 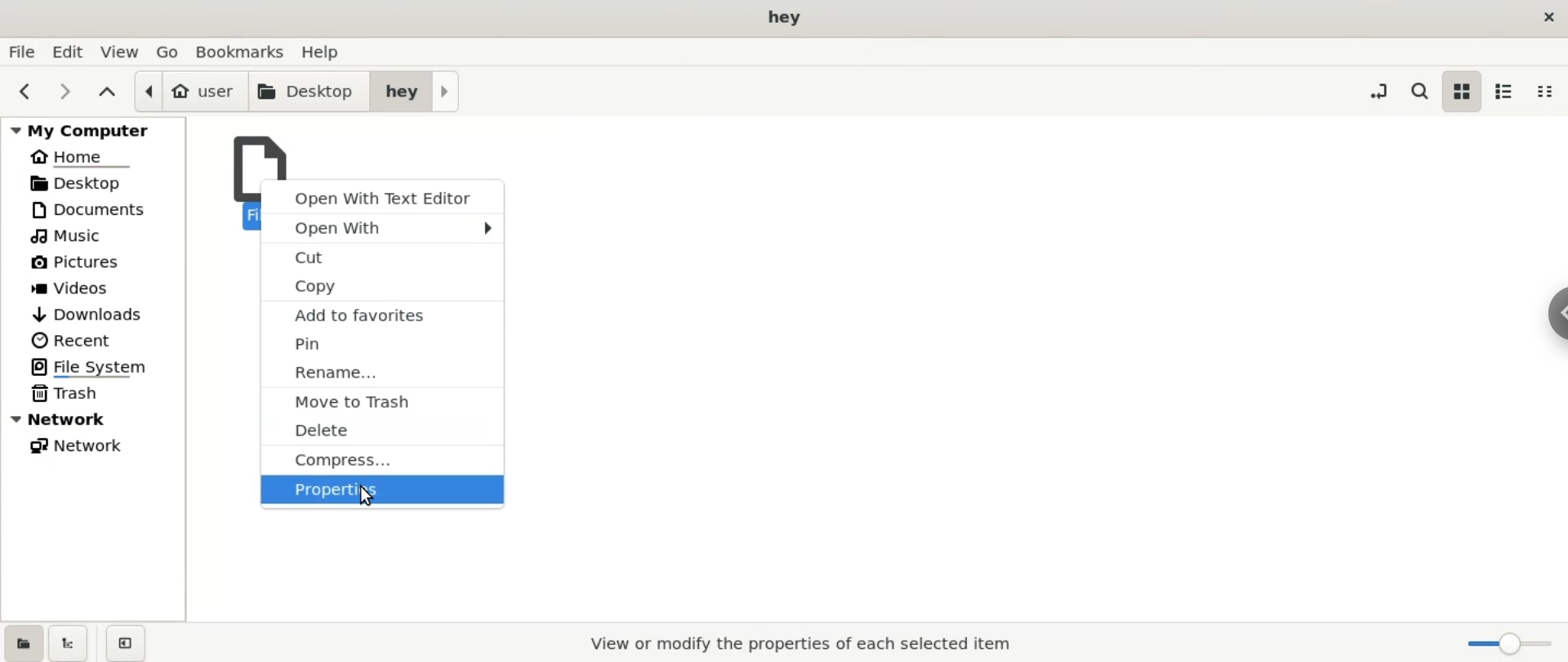 I want to click on home, so click(x=94, y=157).